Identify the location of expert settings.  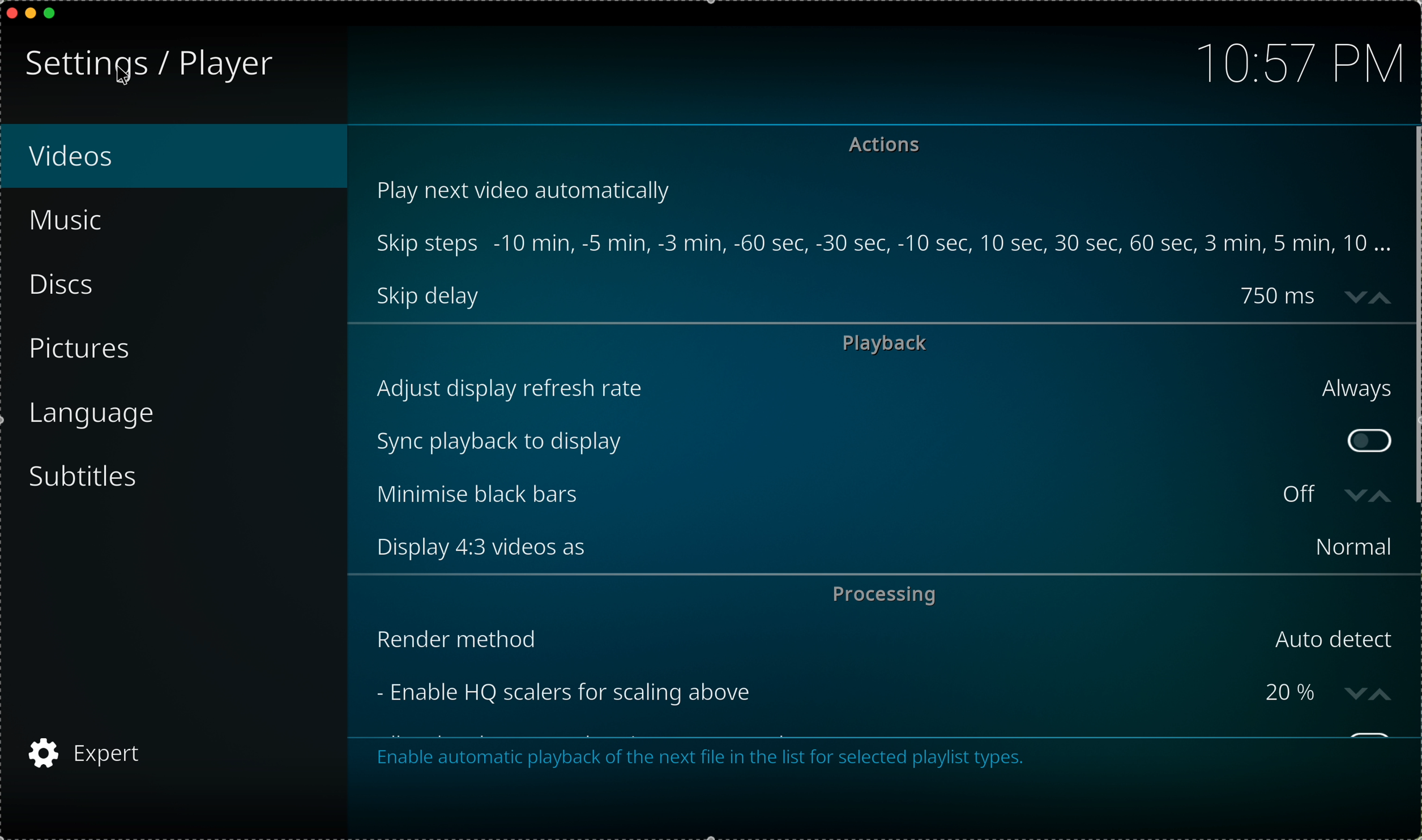
(88, 751).